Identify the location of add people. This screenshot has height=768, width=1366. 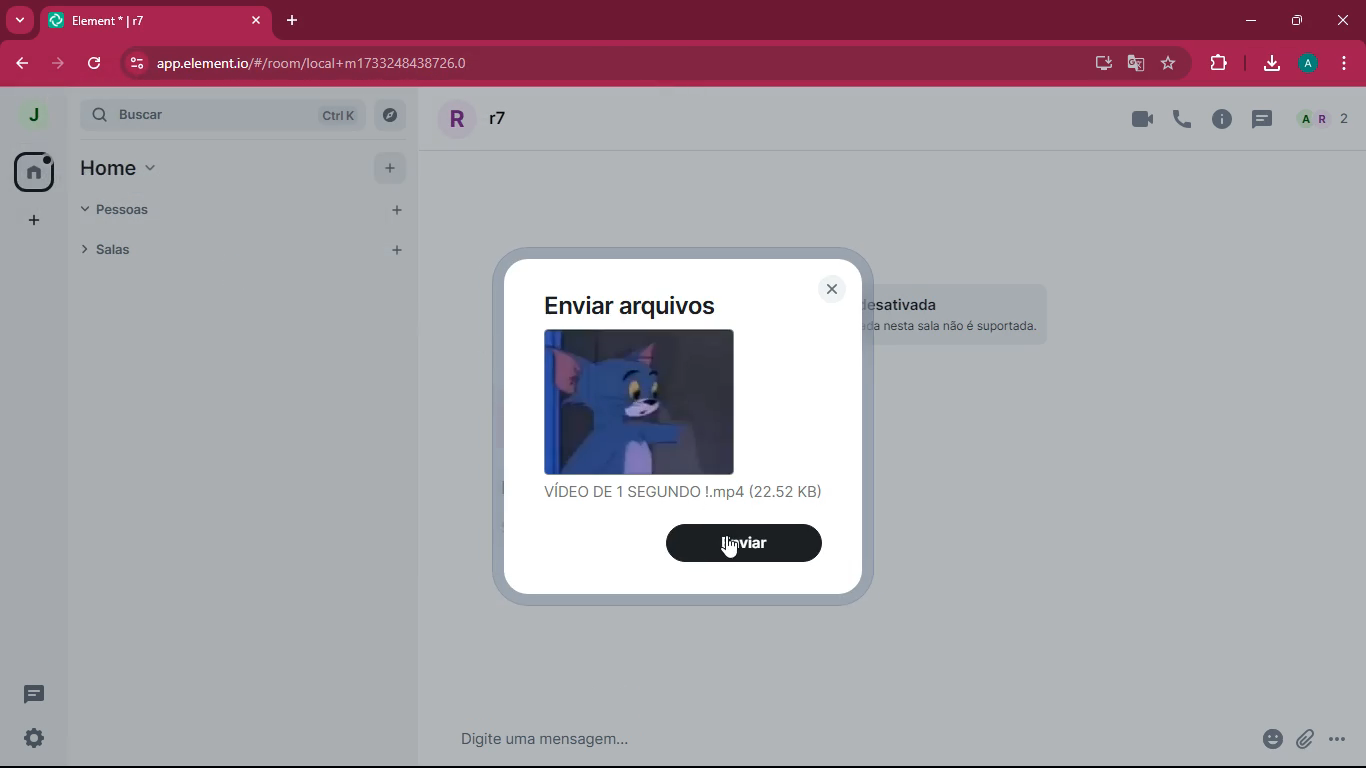
(391, 211).